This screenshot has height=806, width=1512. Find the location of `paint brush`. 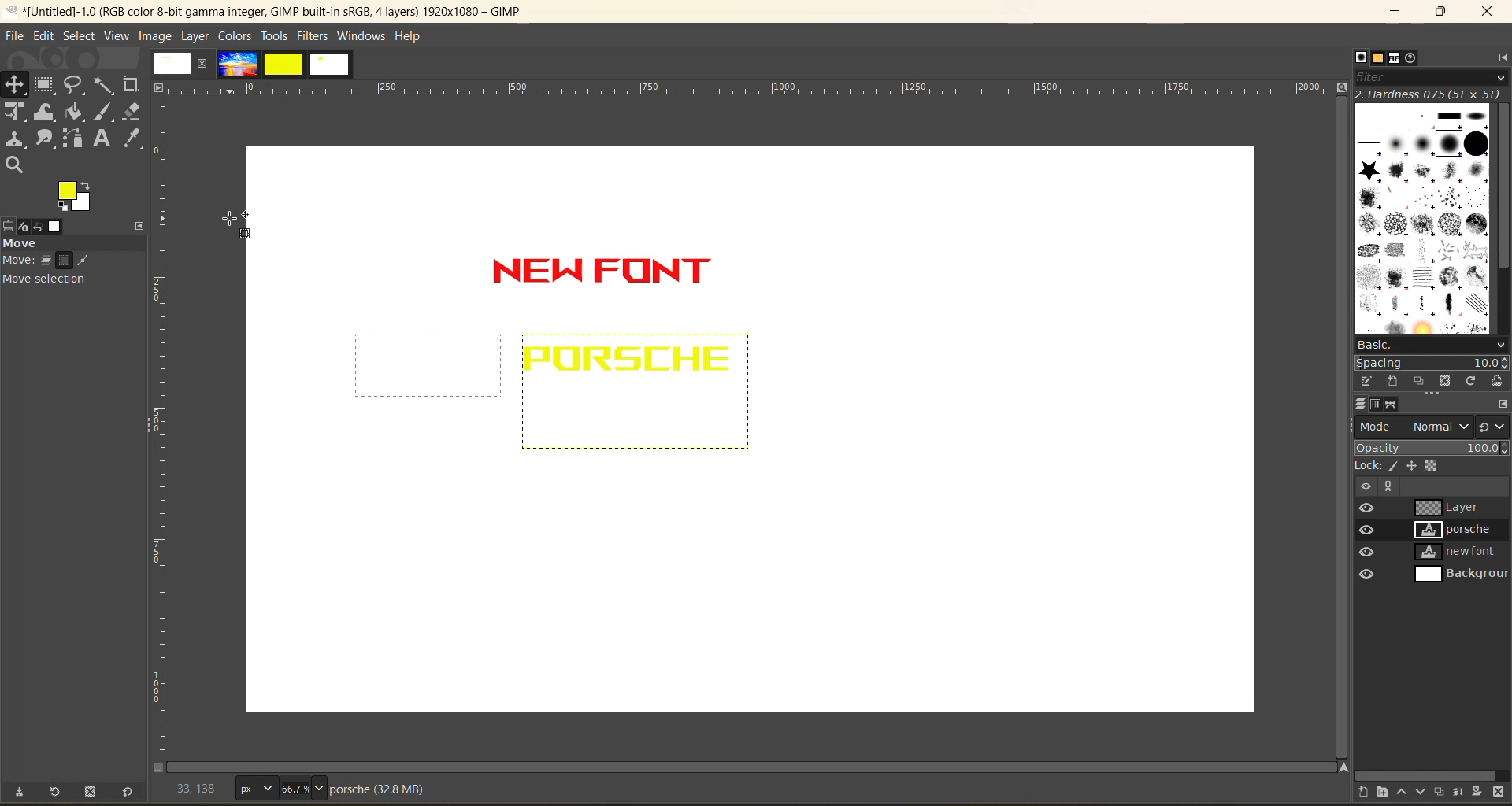

paint brush is located at coordinates (105, 114).